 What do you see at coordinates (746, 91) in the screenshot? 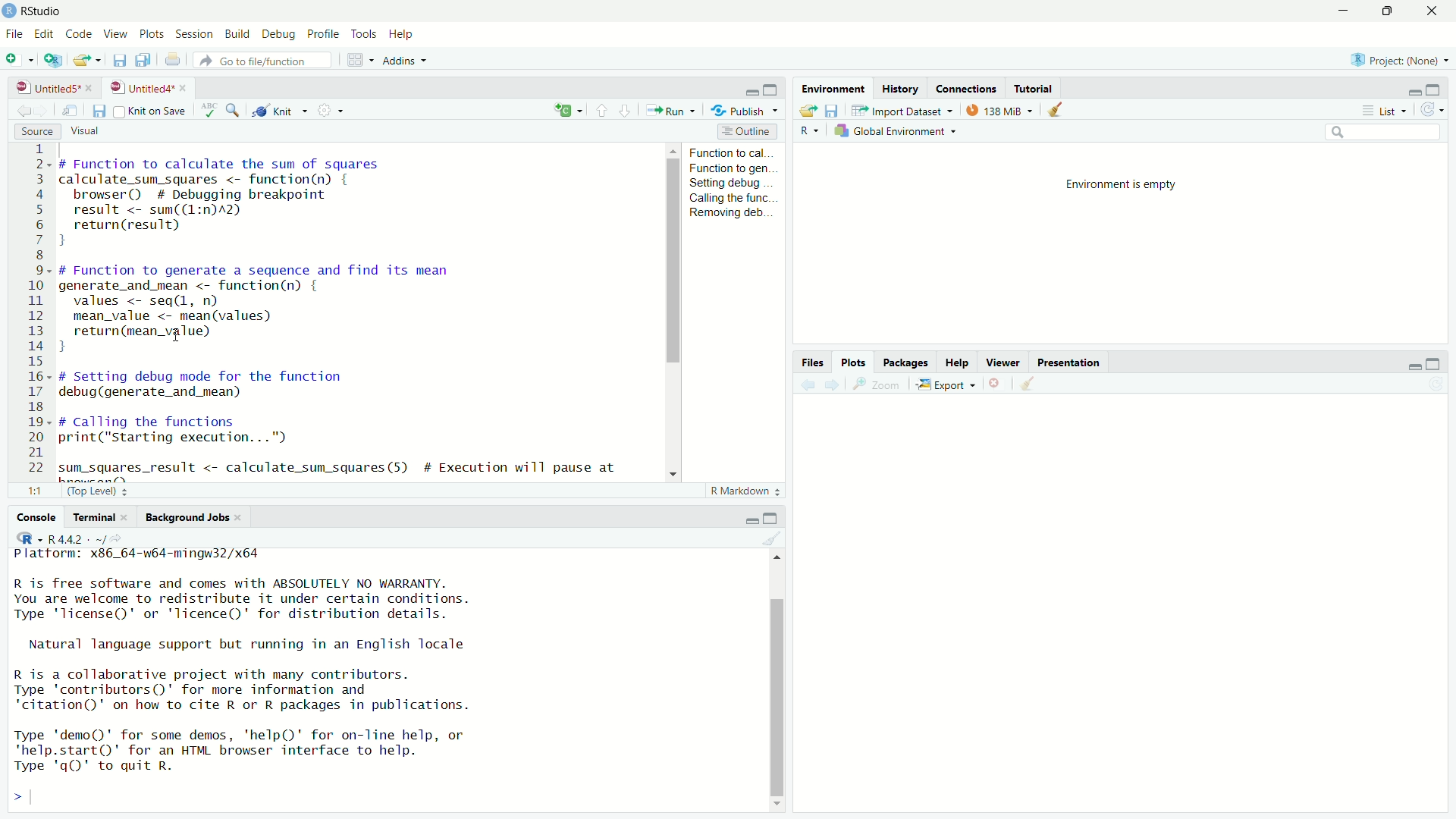
I see `minimize` at bounding box center [746, 91].